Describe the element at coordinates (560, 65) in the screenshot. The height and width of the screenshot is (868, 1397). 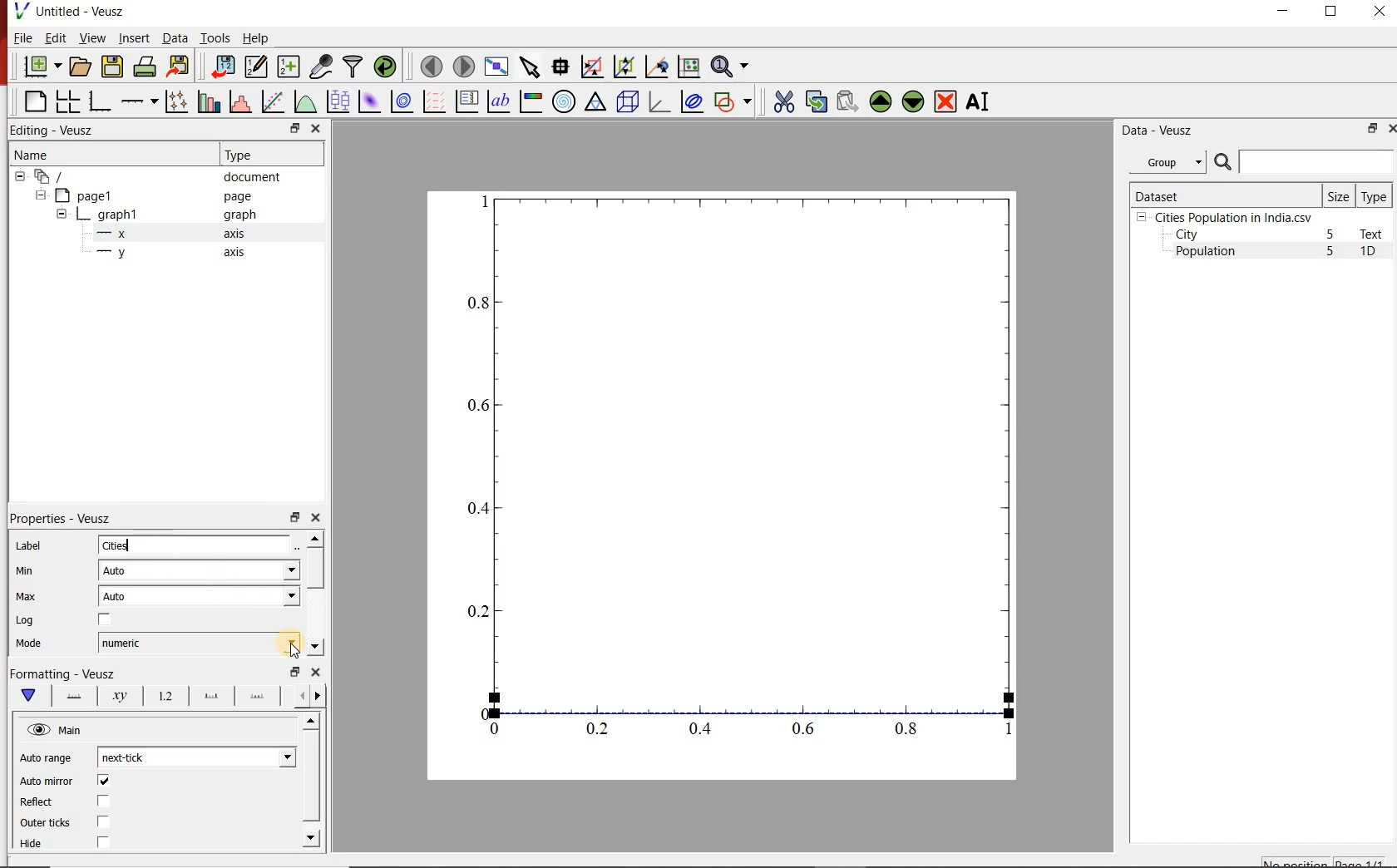
I see `read data points on the graph` at that location.